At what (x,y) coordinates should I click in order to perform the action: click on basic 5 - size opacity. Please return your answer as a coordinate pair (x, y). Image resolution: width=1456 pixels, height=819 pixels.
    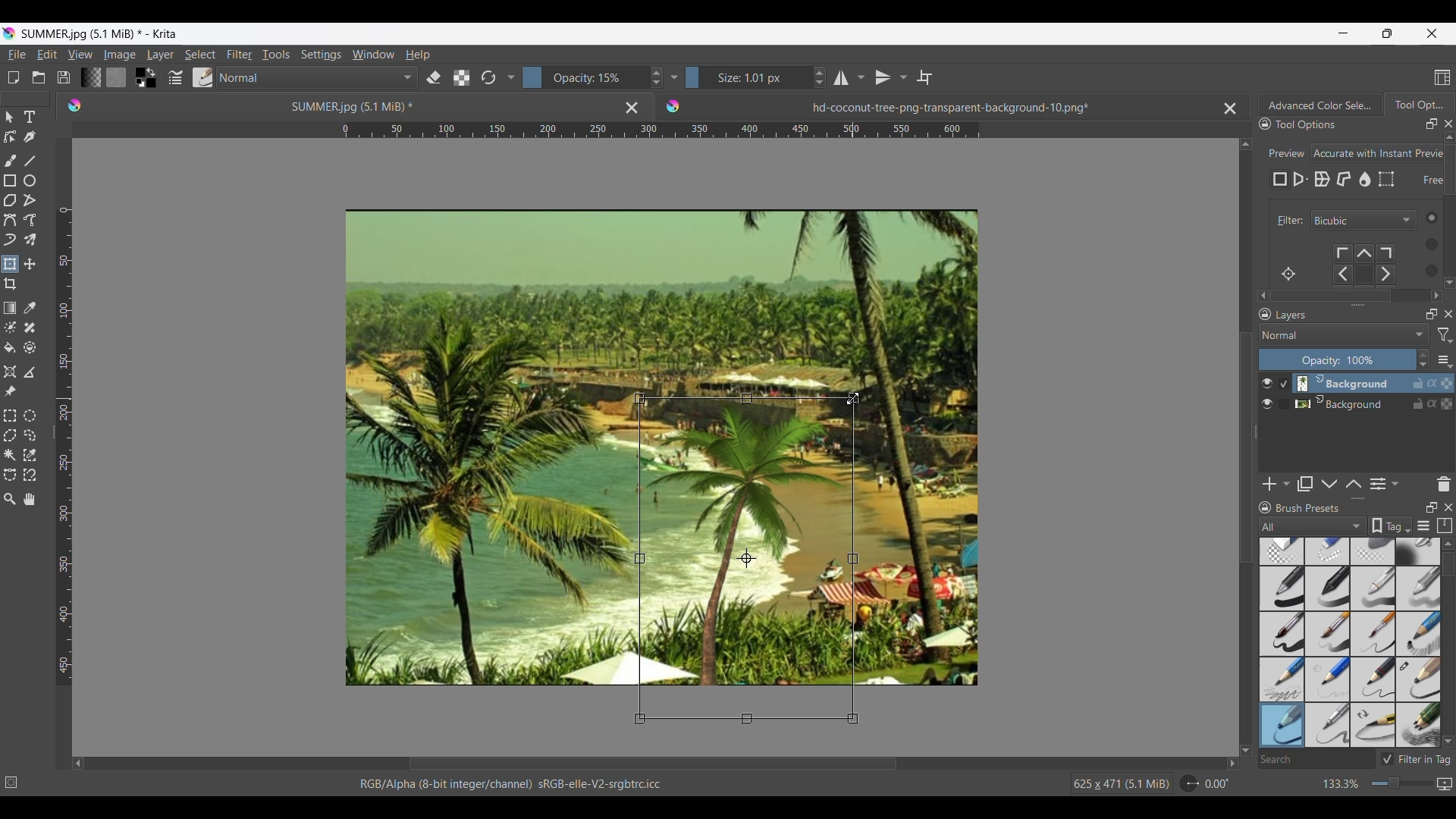
    Looking at the image, I should click on (1329, 634).